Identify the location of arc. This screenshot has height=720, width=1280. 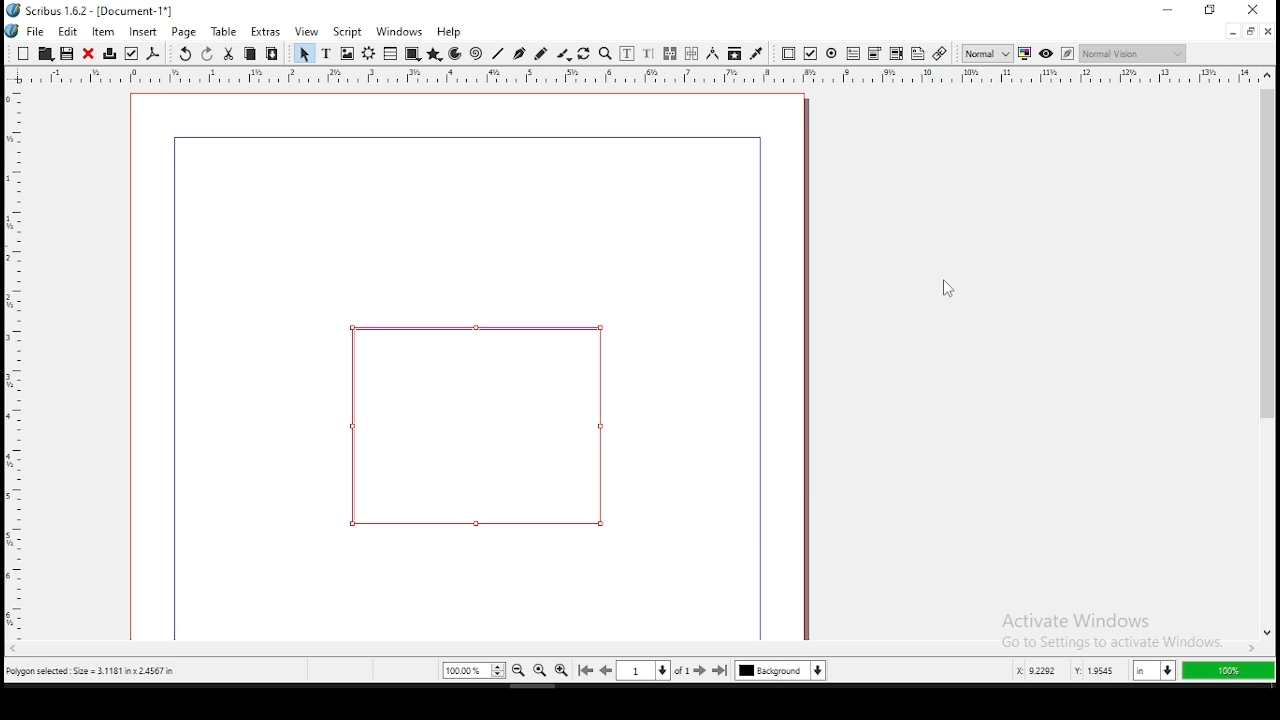
(456, 54).